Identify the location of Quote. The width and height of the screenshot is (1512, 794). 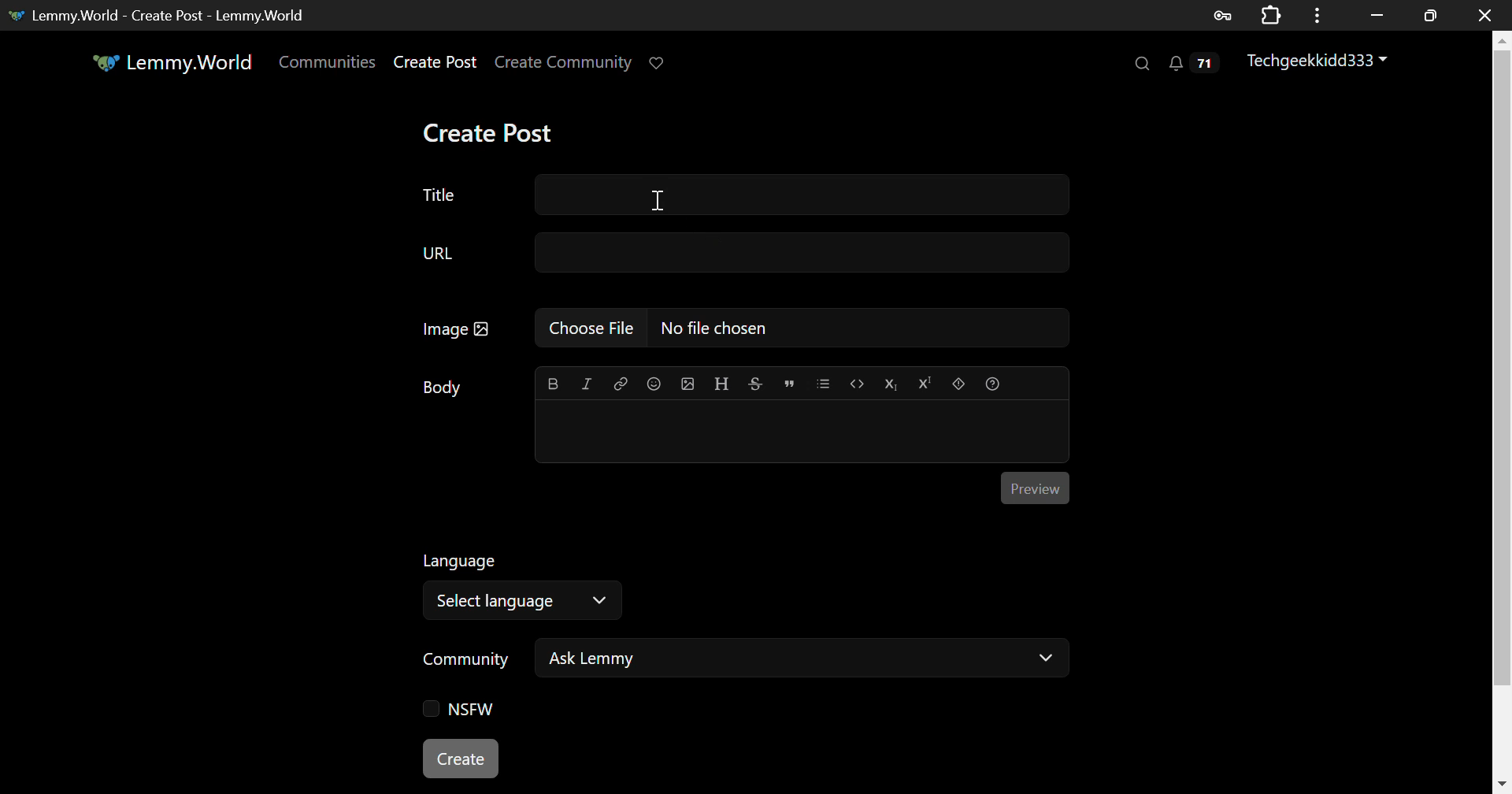
(787, 384).